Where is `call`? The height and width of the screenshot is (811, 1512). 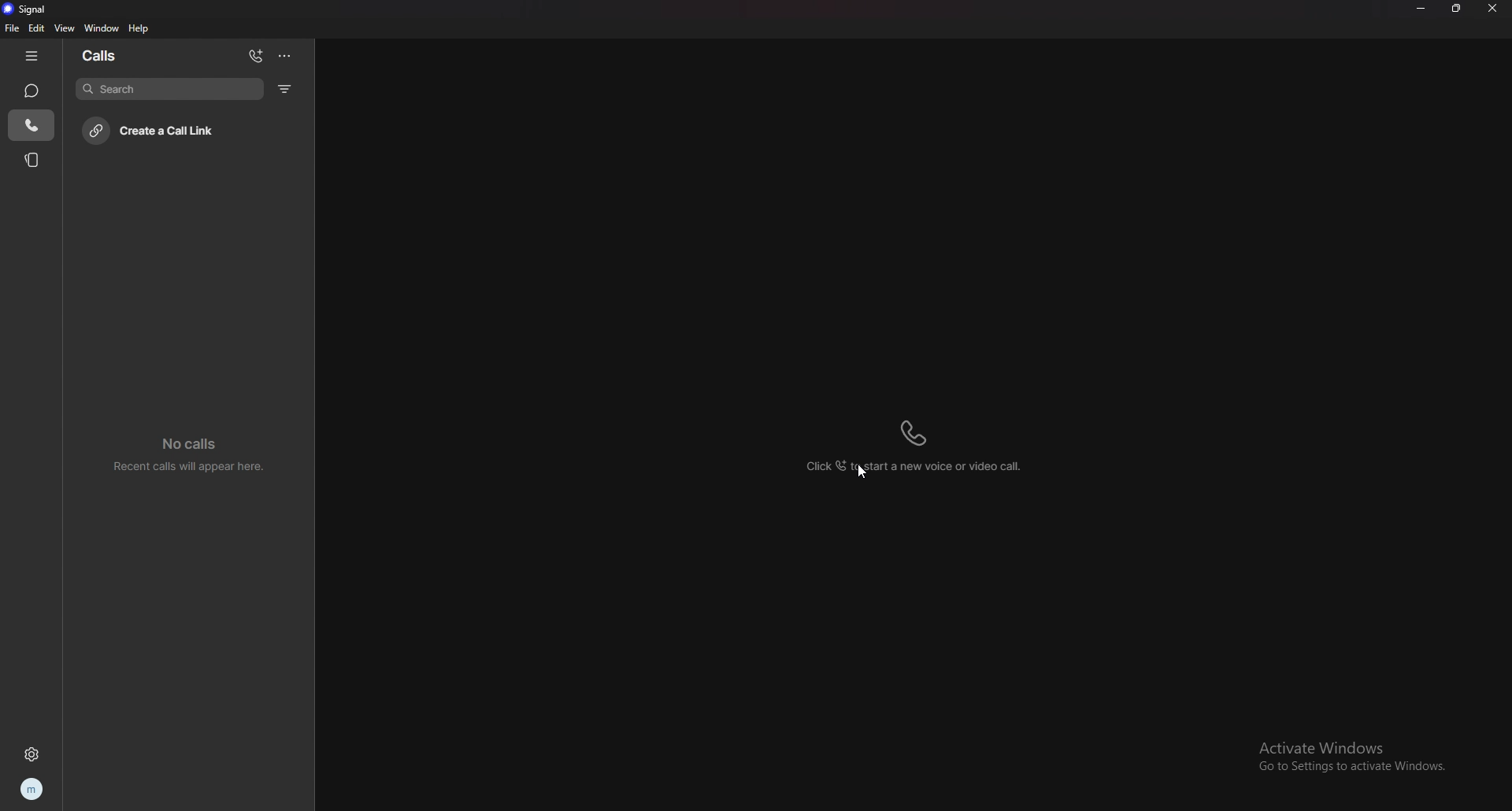
call is located at coordinates (31, 127).